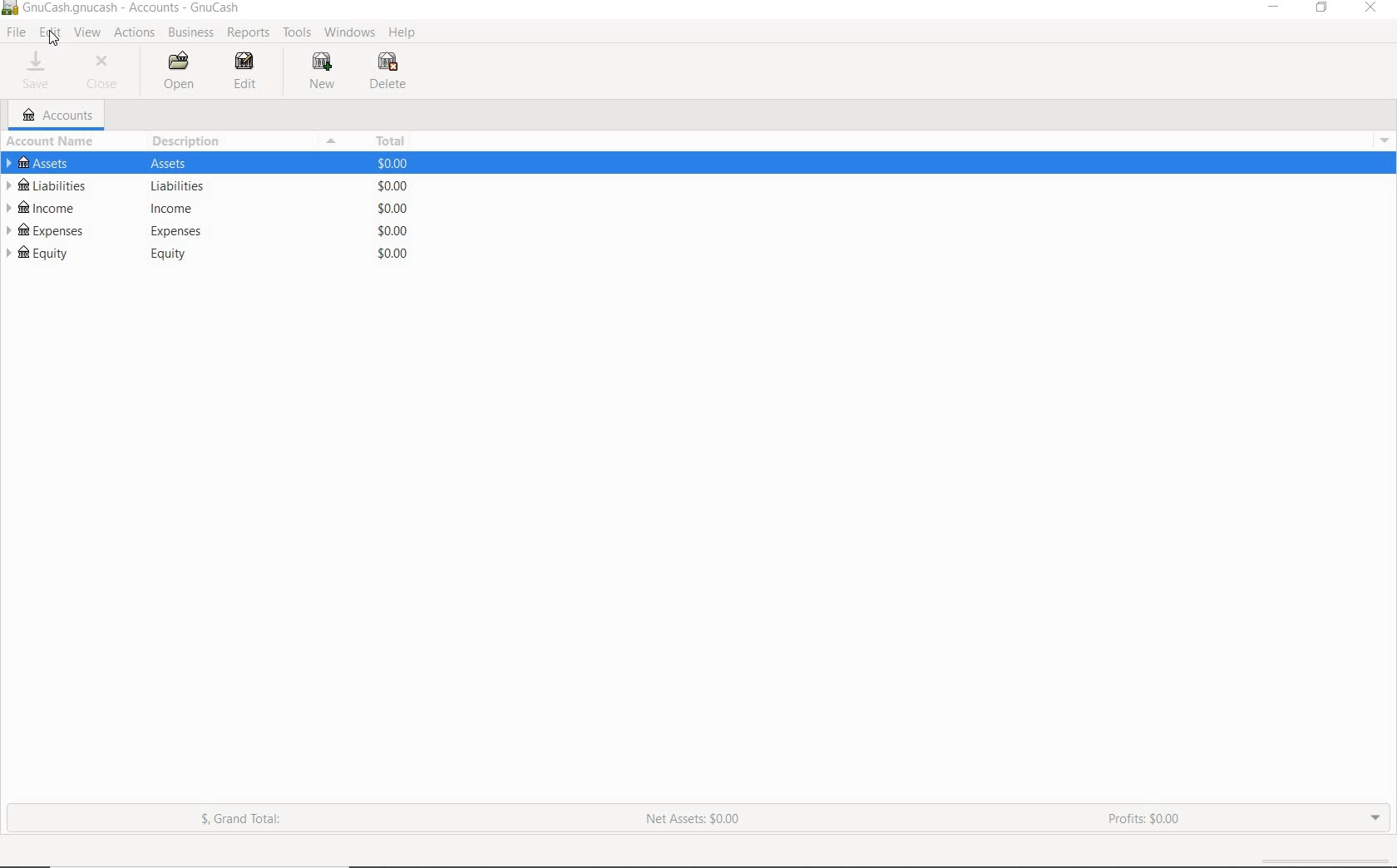 This screenshot has width=1397, height=868. What do you see at coordinates (297, 33) in the screenshot?
I see `TOOLS` at bounding box center [297, 33].